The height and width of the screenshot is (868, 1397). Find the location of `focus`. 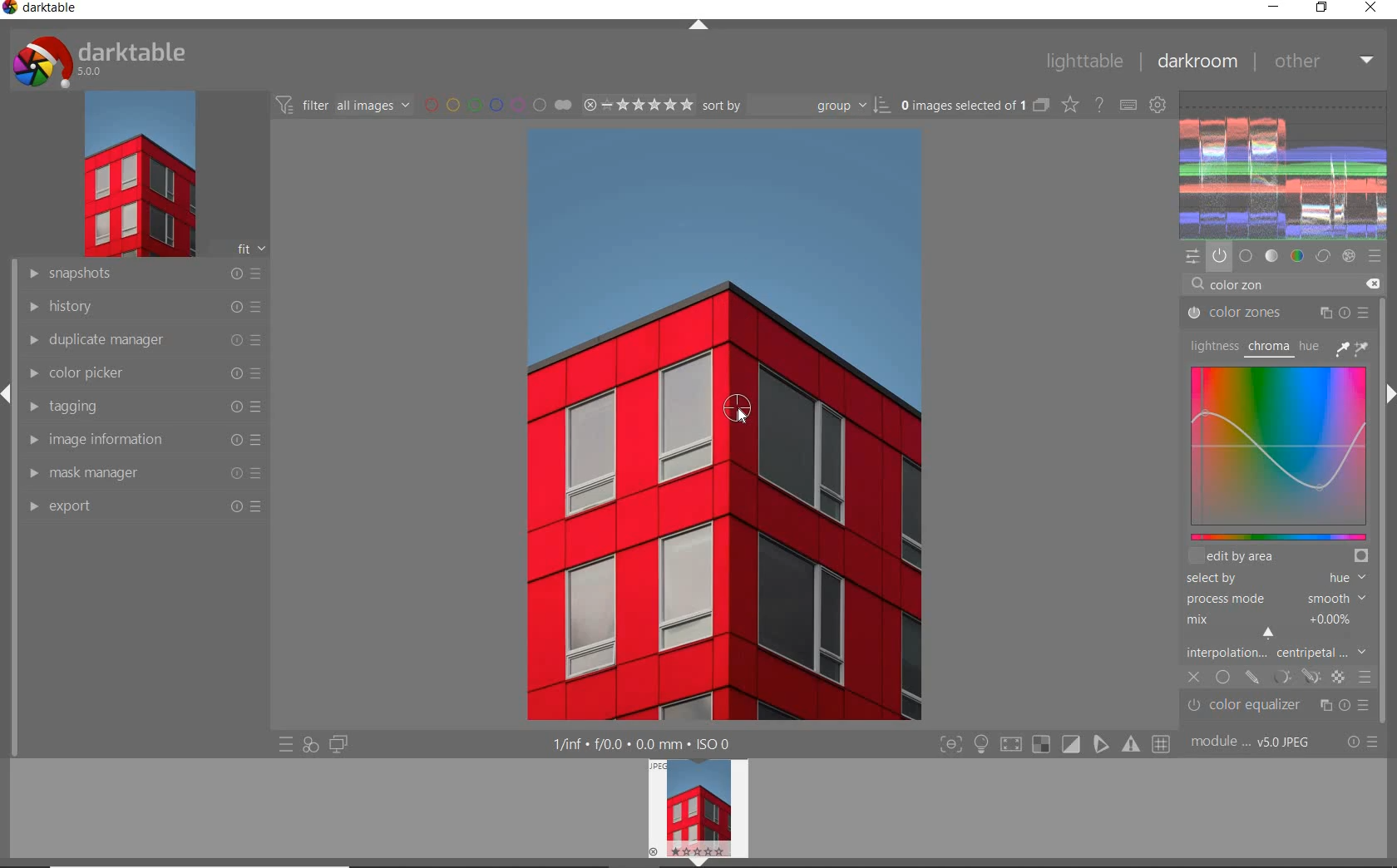

focus is located at coordinates (947, 743).